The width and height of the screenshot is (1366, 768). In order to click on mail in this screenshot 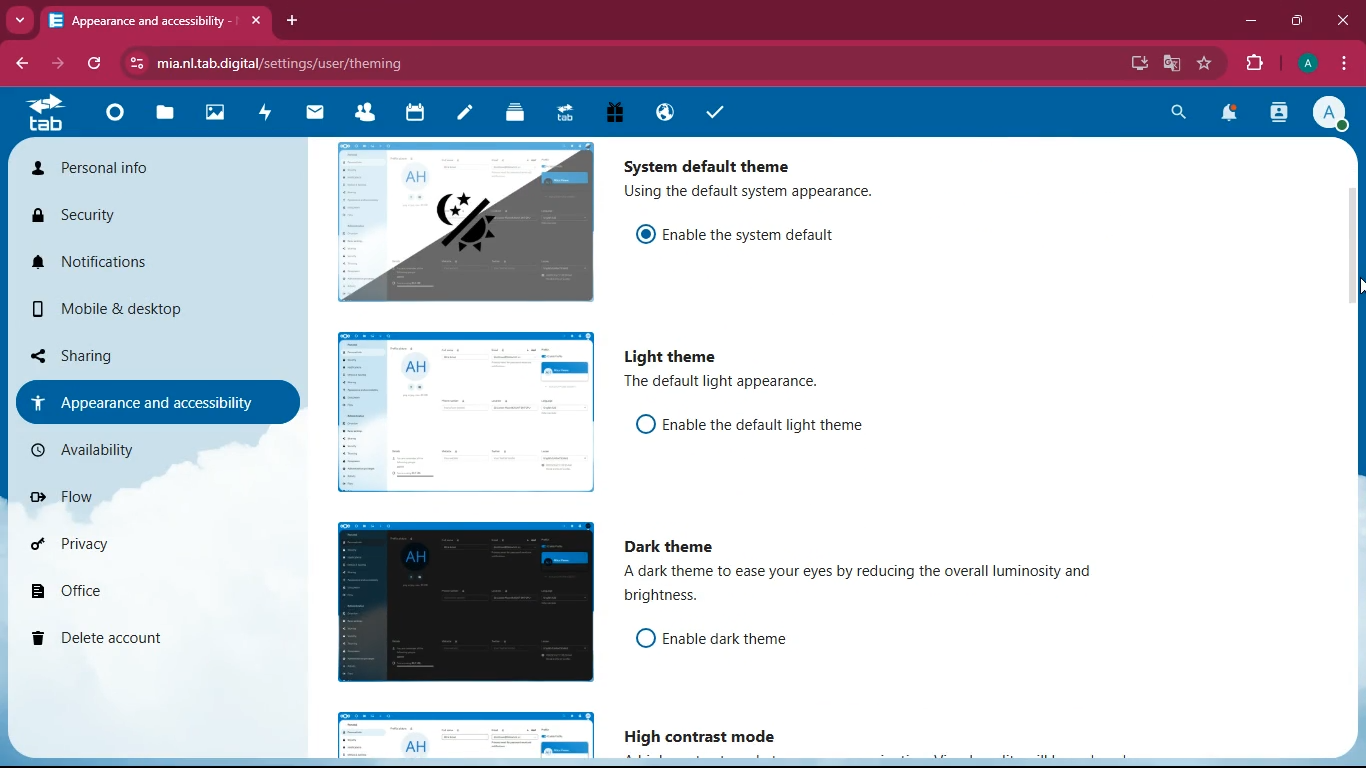, I will do `click(316, 112)`.